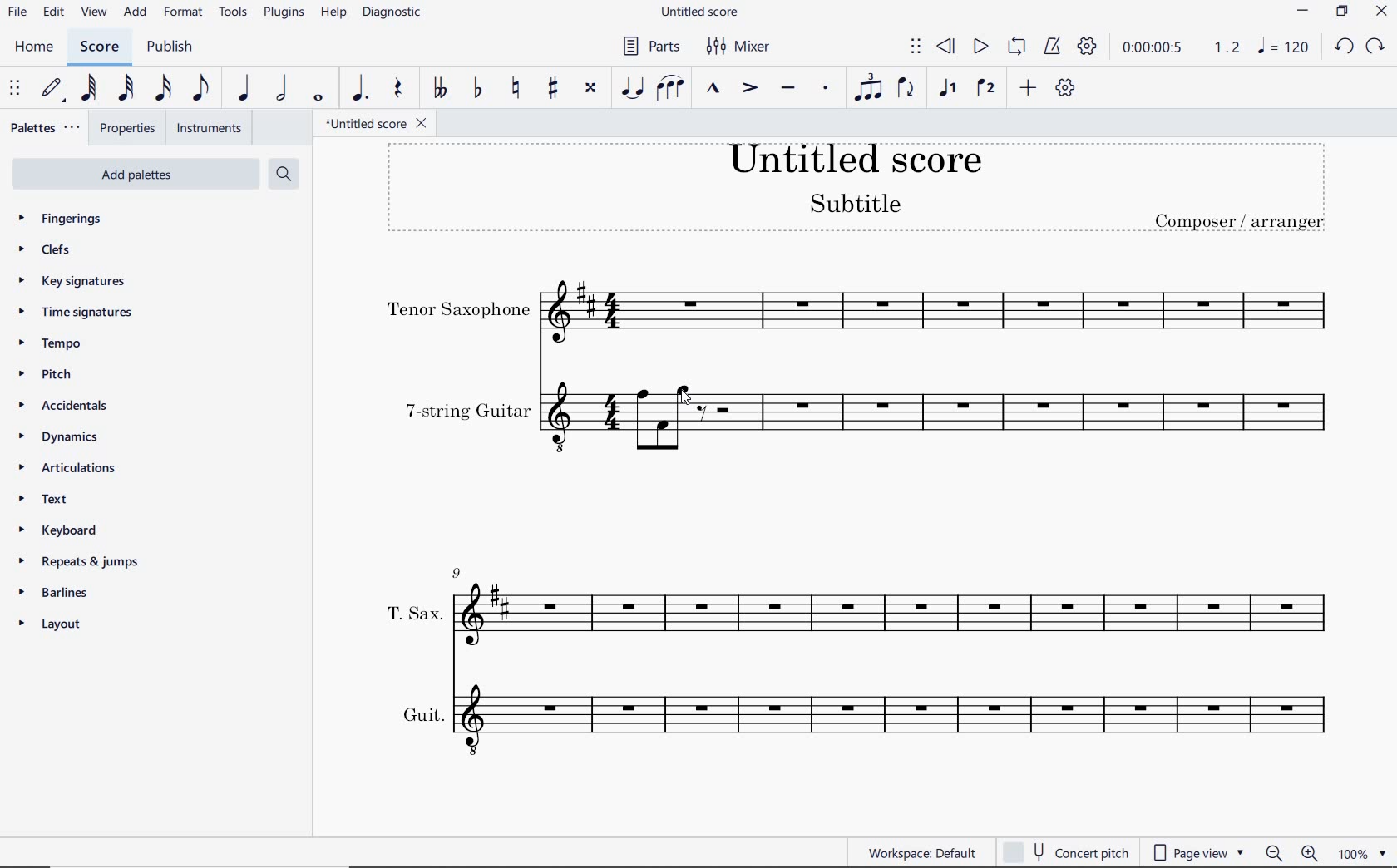 This screenshot has height=868, width=1397. I want to click on SELECET TO MOVE, so click(16, 89).